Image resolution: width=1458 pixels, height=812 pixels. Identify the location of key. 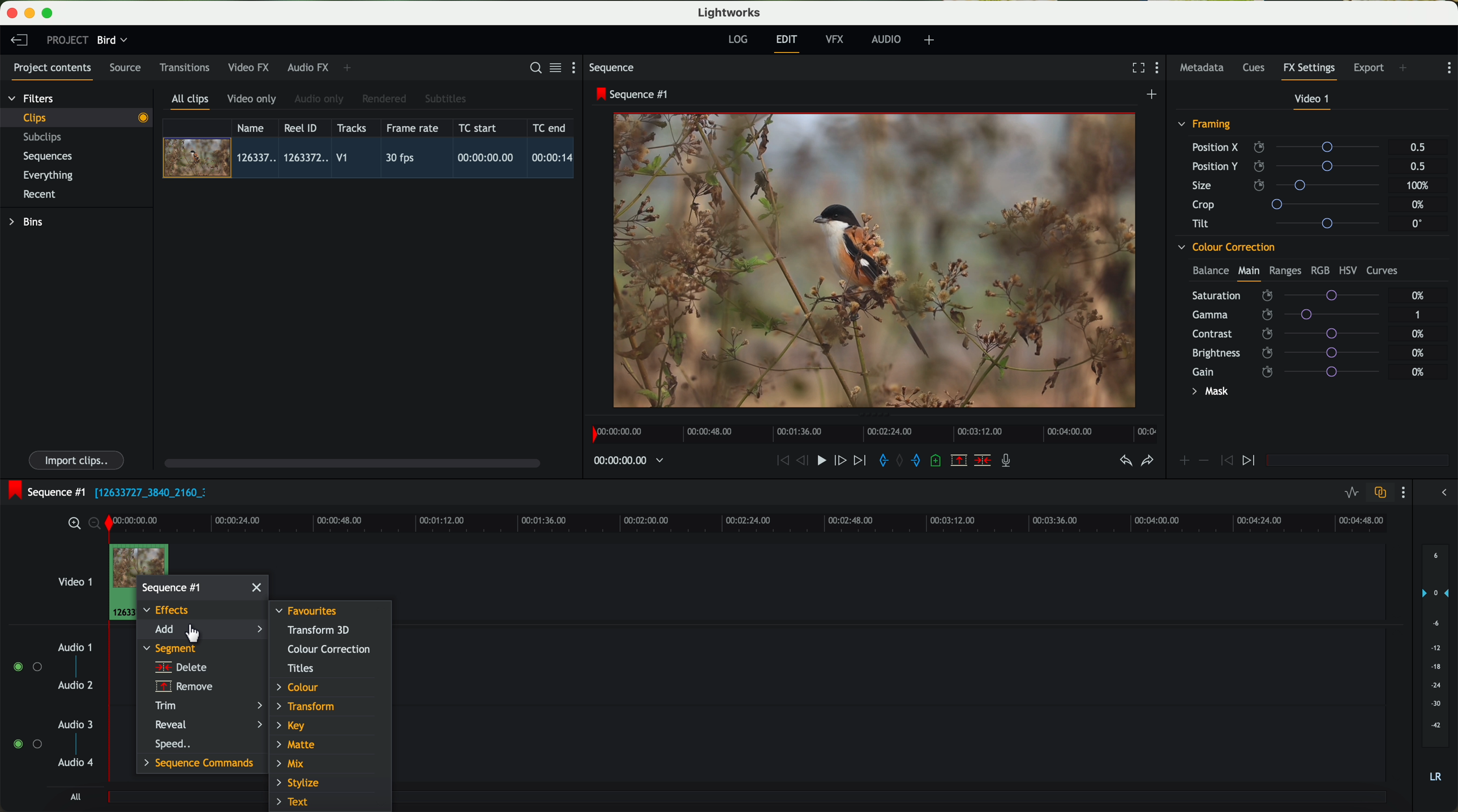
(293, 726).